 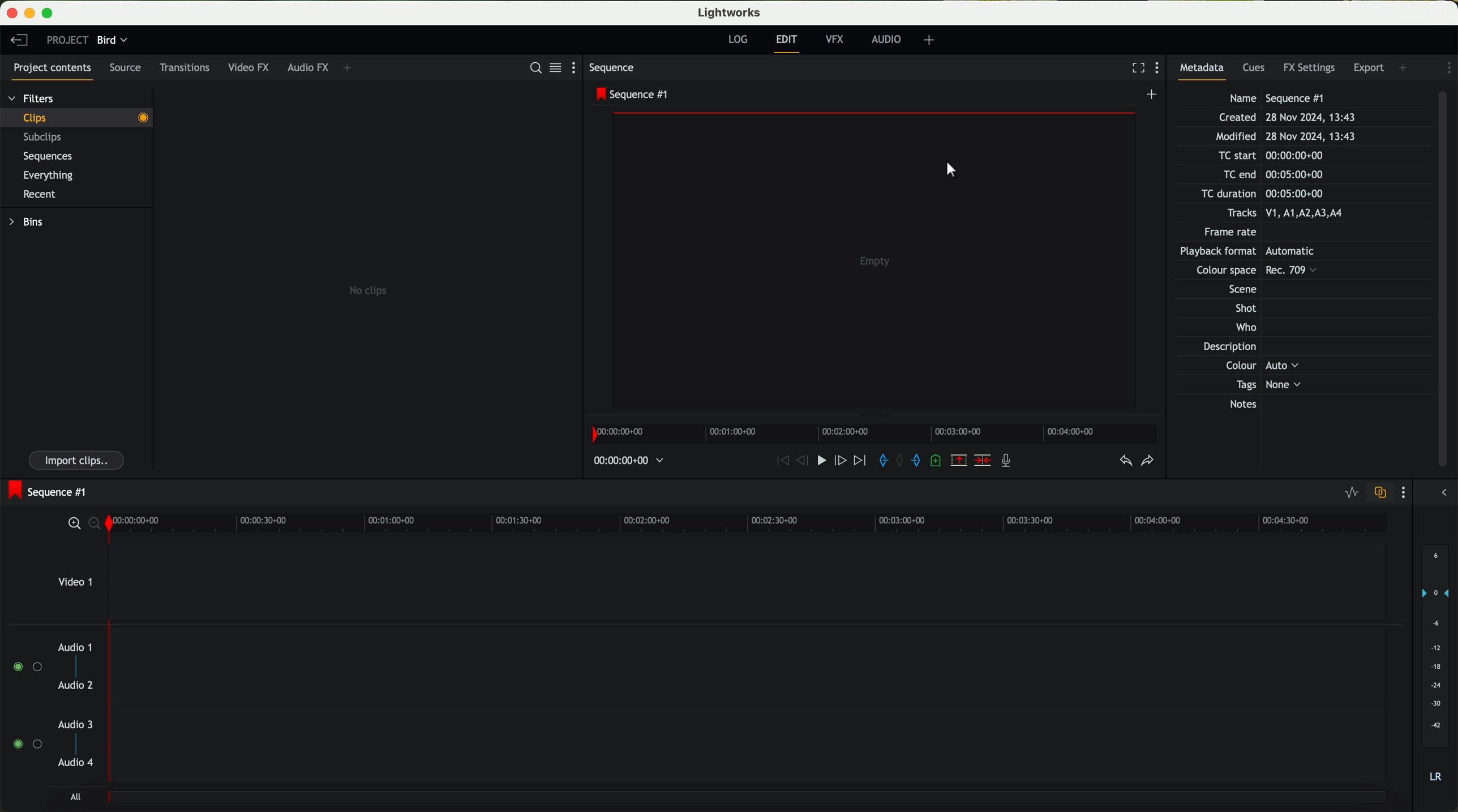 What do you see at coordinates (1444, 281) in the screenshot?
I see `scroll bar` at bounding box center [1444, 281].